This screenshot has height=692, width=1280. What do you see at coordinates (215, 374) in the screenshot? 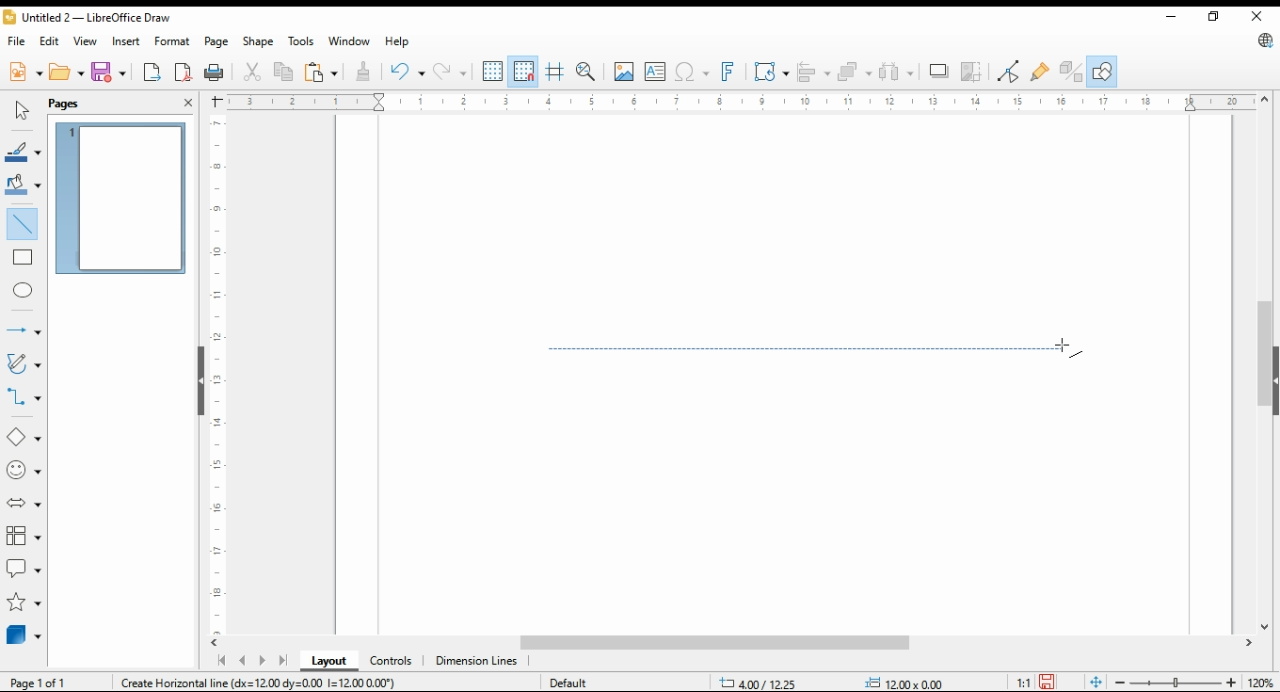
I see `vertical scale` at bounding box center [215, 374].